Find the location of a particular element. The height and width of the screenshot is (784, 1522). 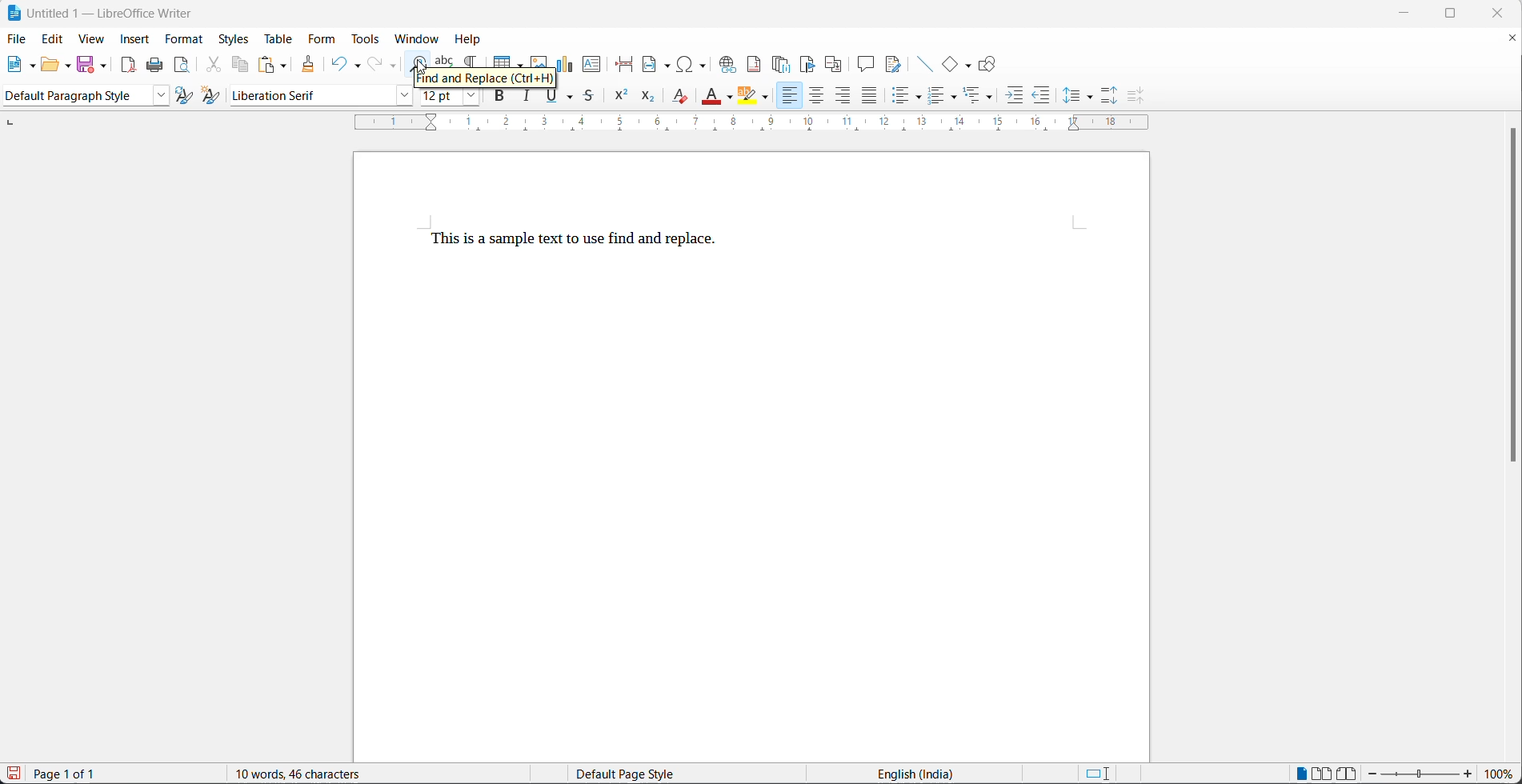

scroll bar is located at coordinates (1512, 303).